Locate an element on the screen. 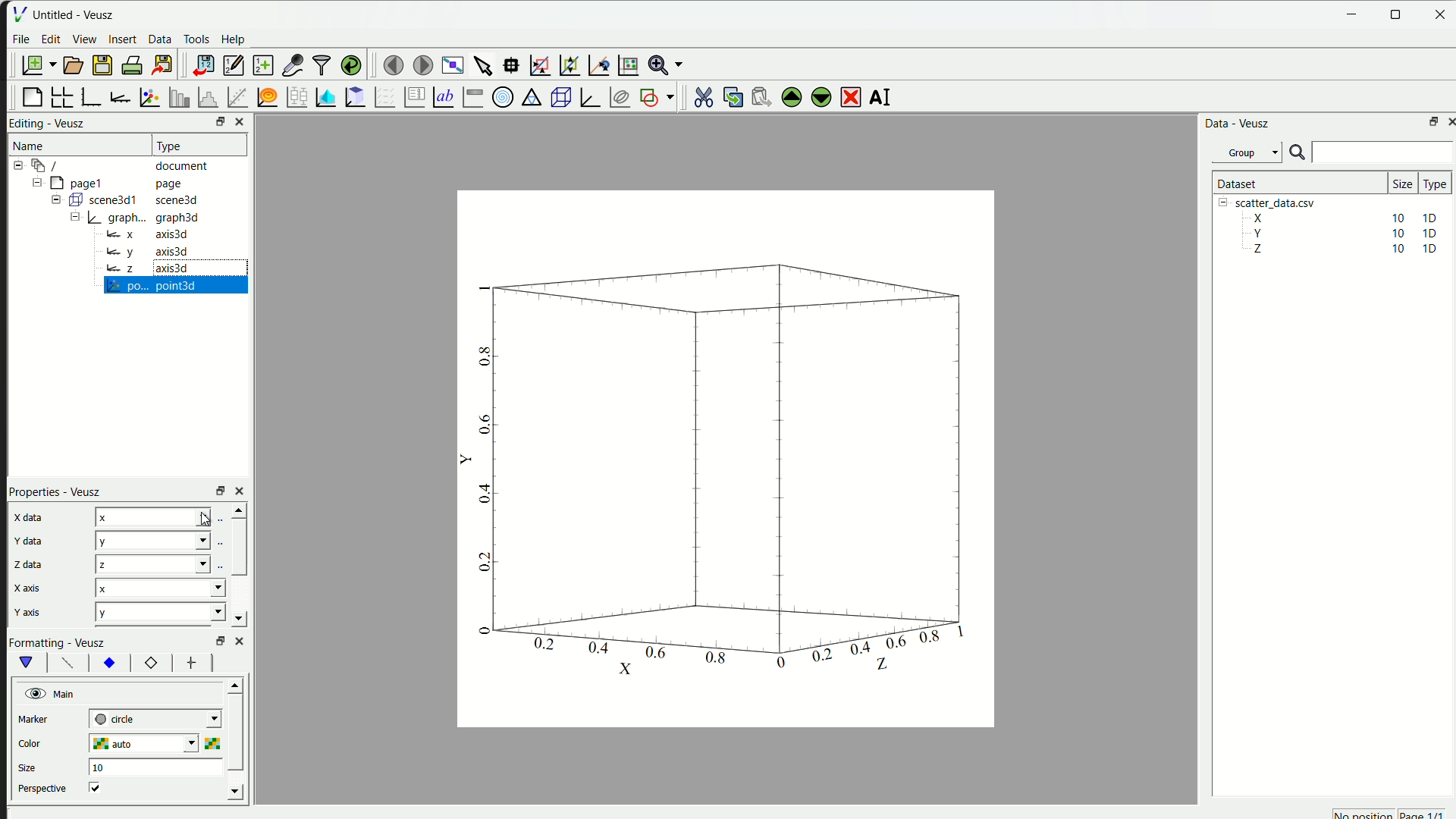 Image resolution: width=1456 pixels, height=819 pixels. edit is located at coordinates (50, 39).